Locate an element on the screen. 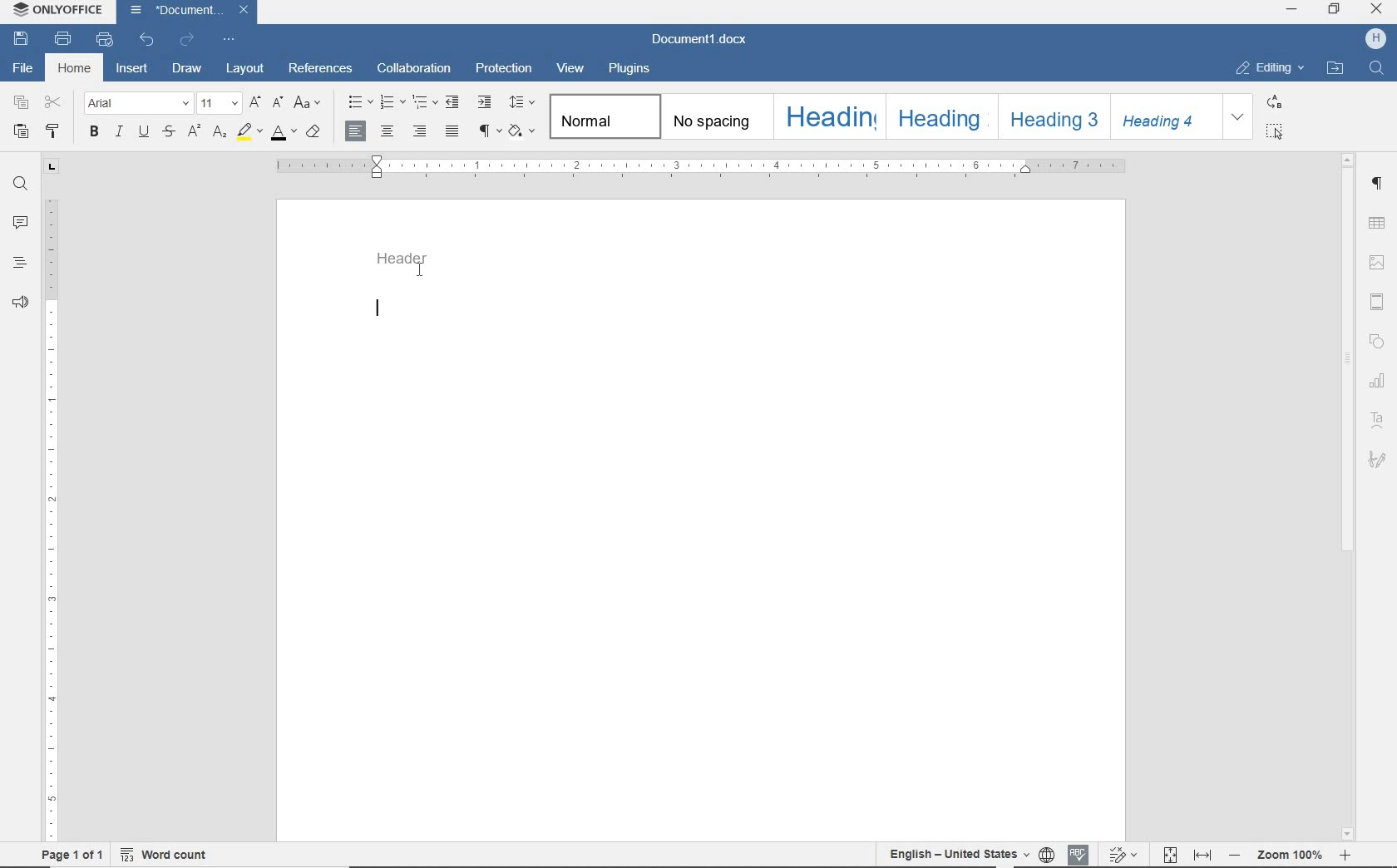 The width and height of the screenshot is (1397, 868). HP is located at coordinates (1371, 38).